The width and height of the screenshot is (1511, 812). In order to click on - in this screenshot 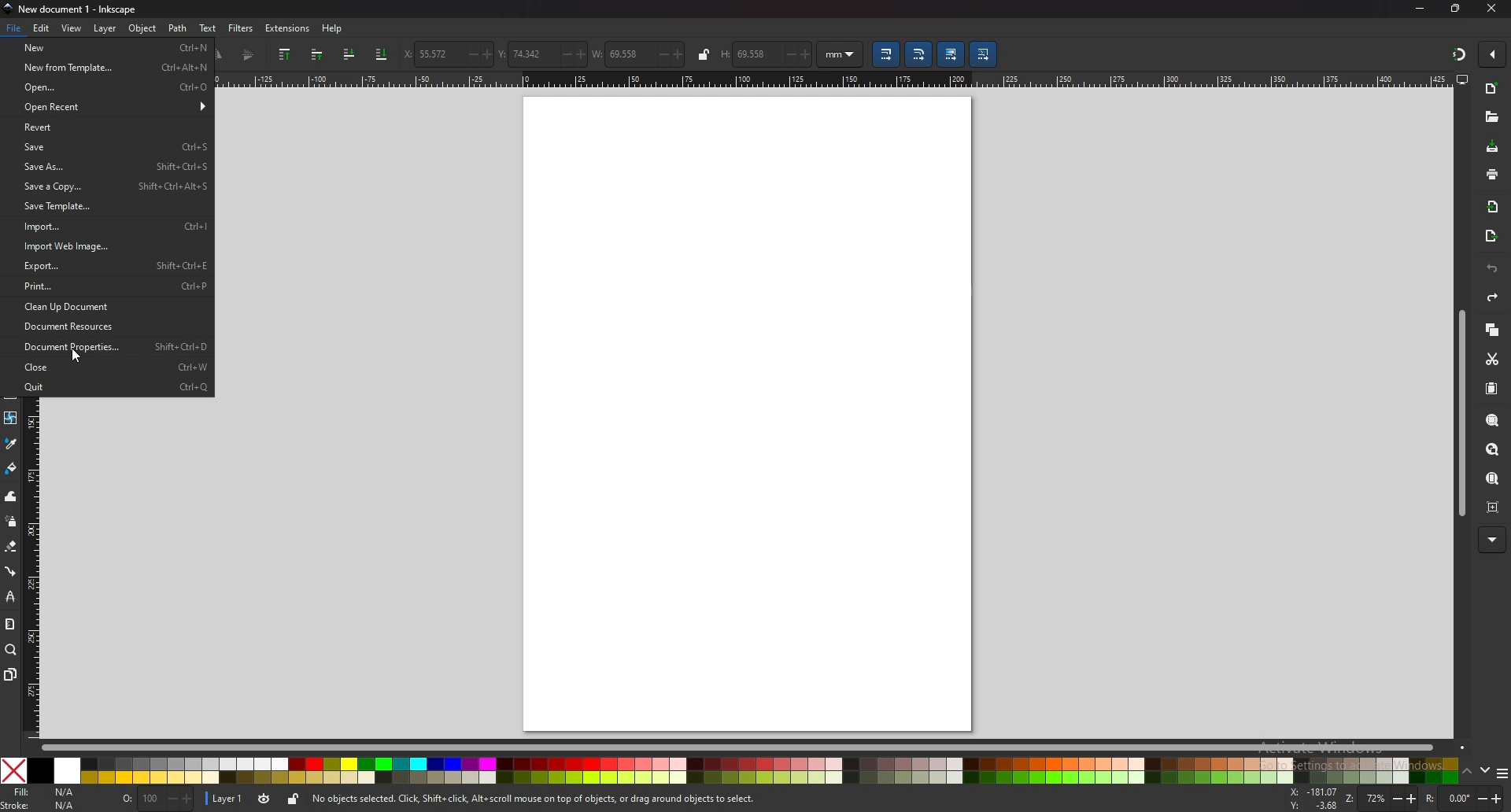, I will do `click(659, 55)`.